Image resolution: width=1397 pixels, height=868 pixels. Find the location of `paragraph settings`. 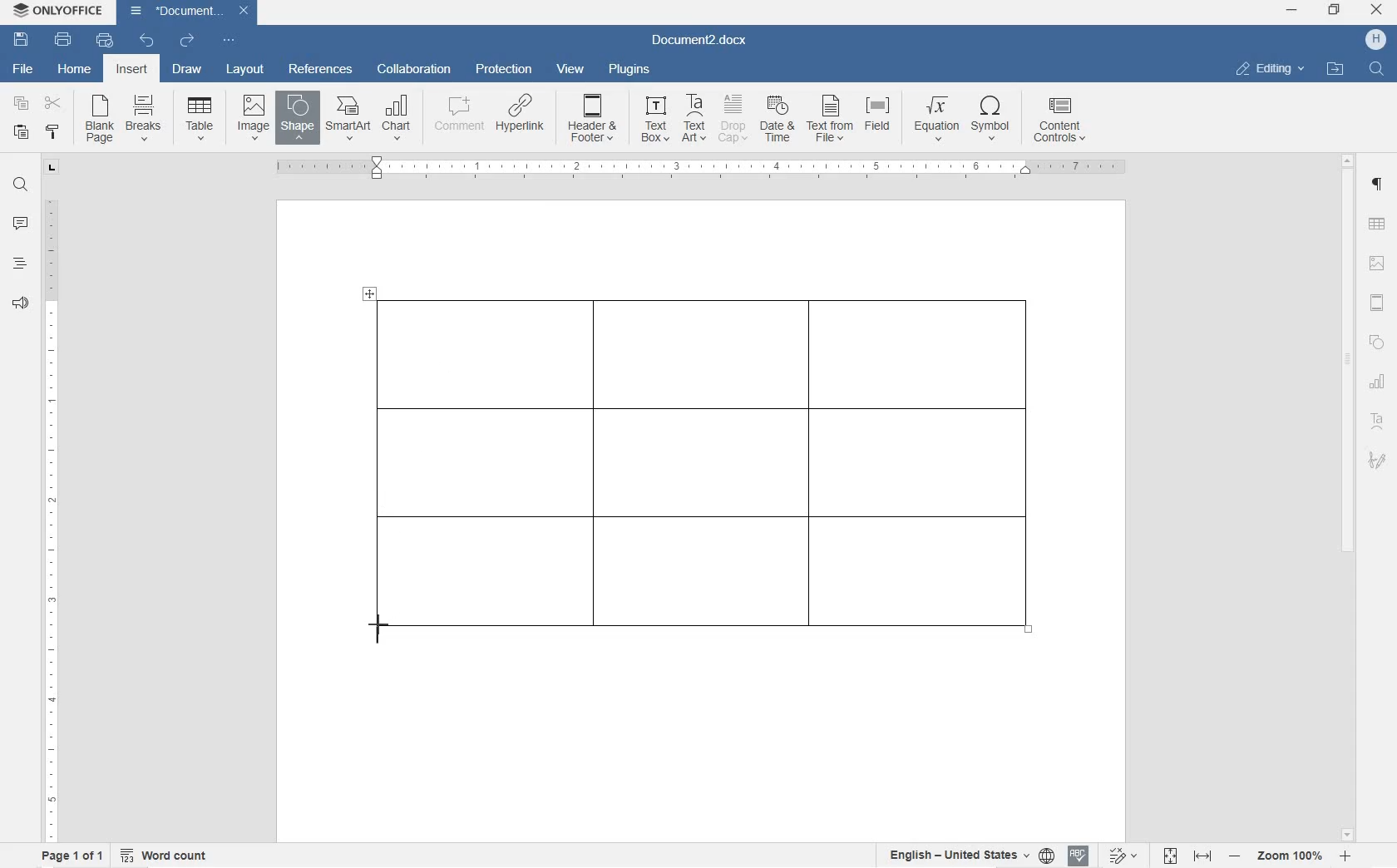

paragraph settings is located at coordinates (1378, 185).